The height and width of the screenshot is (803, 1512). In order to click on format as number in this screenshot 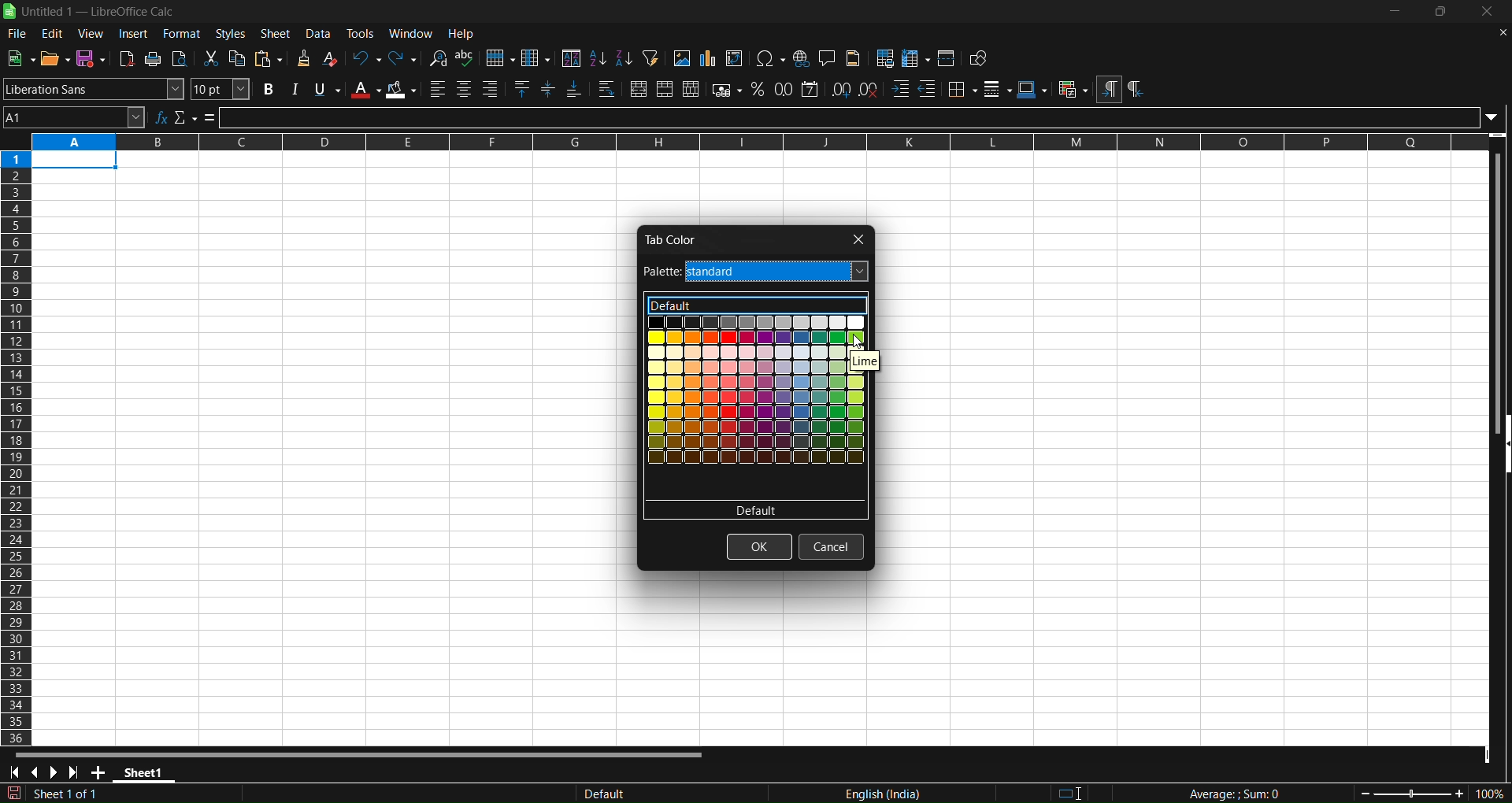, I will do `click(785, 89)`.